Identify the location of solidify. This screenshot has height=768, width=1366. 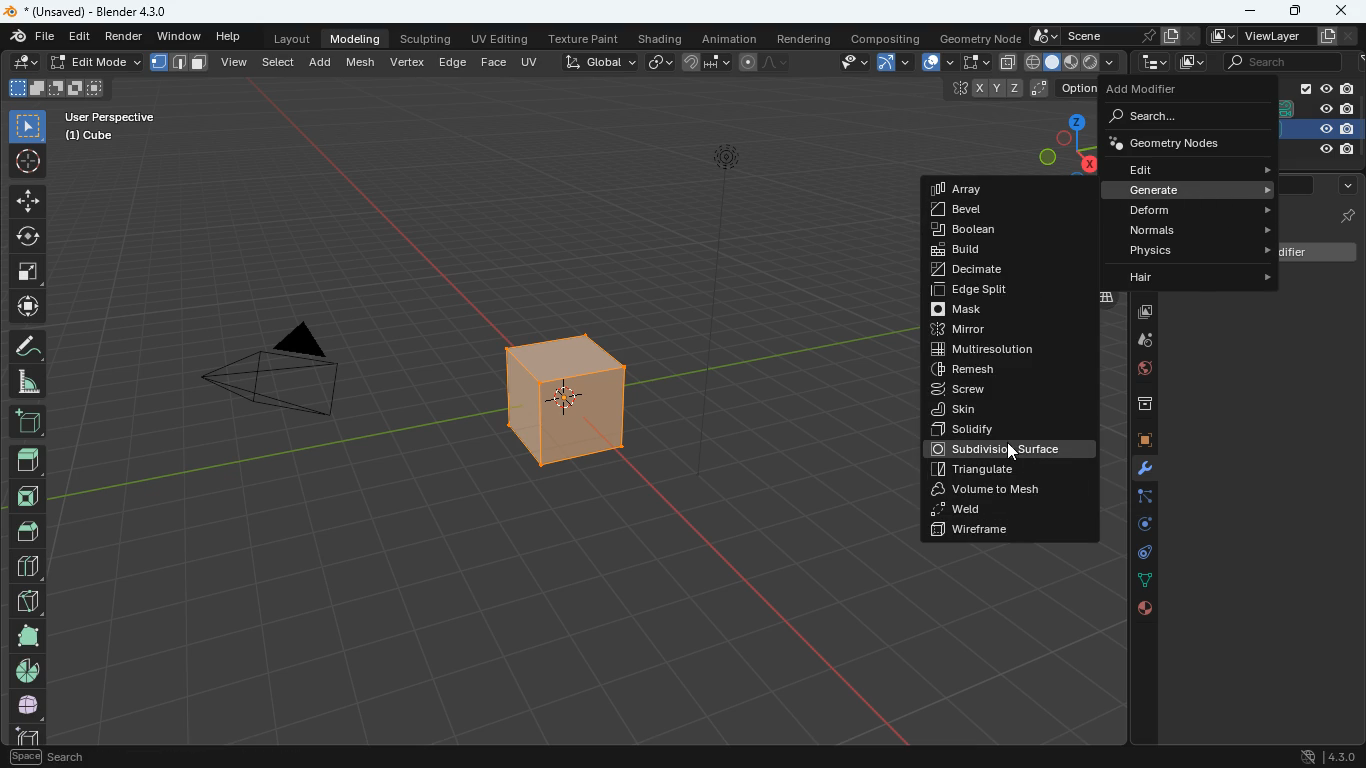
(990, 430).